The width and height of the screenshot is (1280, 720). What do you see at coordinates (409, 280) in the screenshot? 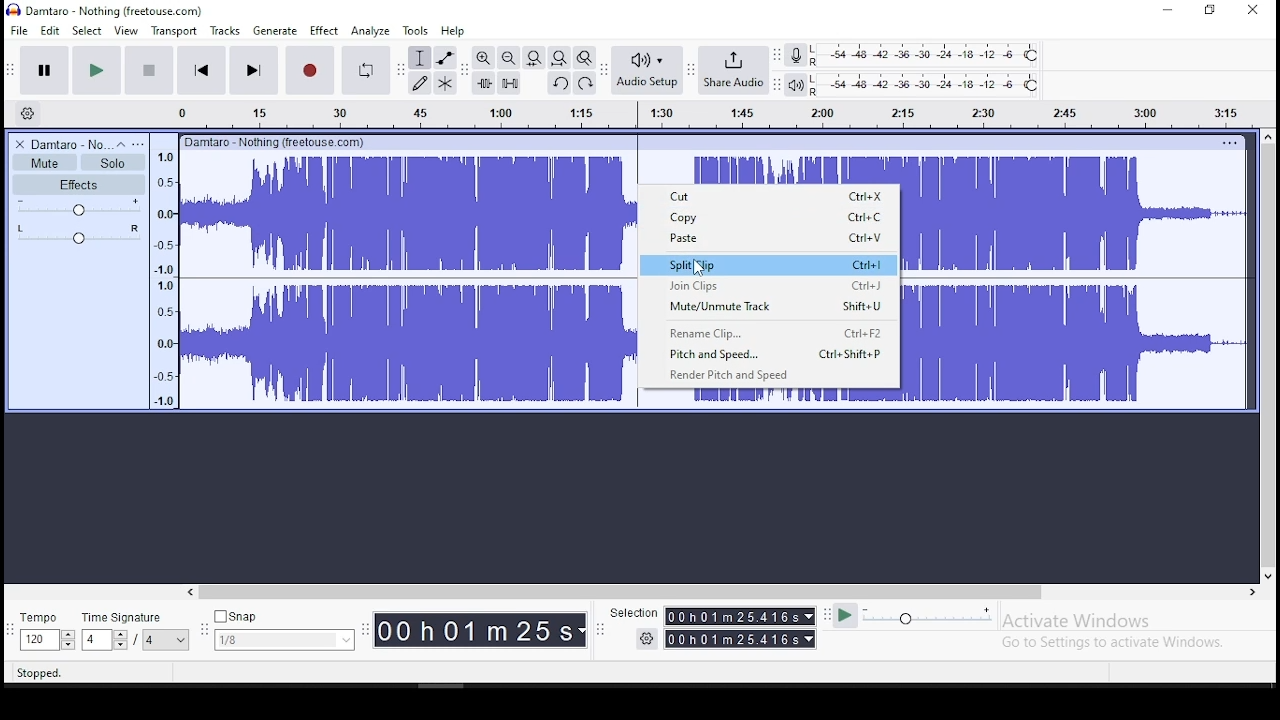
I see `audio track` at bounding box center [409, 280].